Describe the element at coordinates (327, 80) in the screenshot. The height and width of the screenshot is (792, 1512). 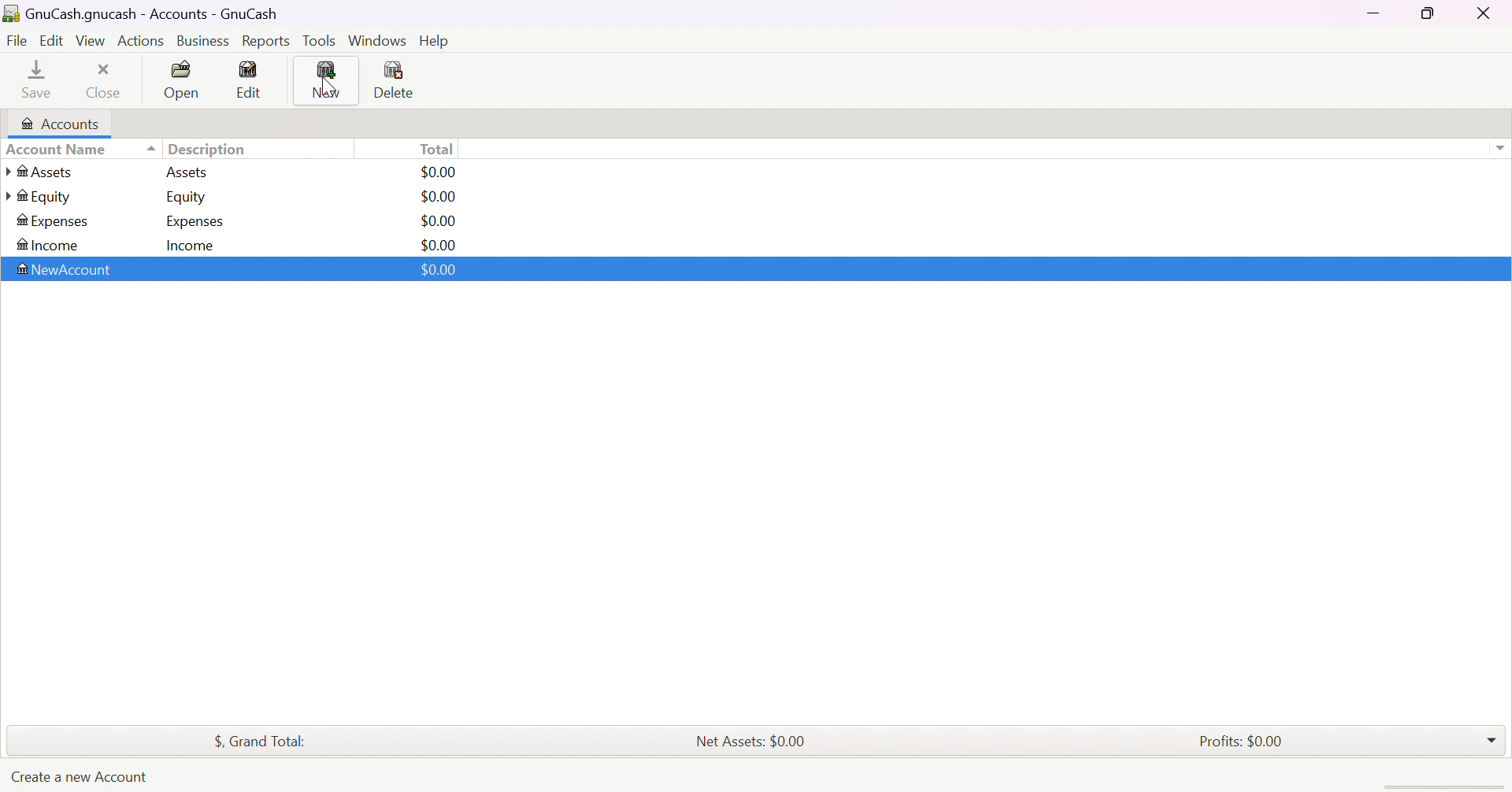
I see `New` at that location.